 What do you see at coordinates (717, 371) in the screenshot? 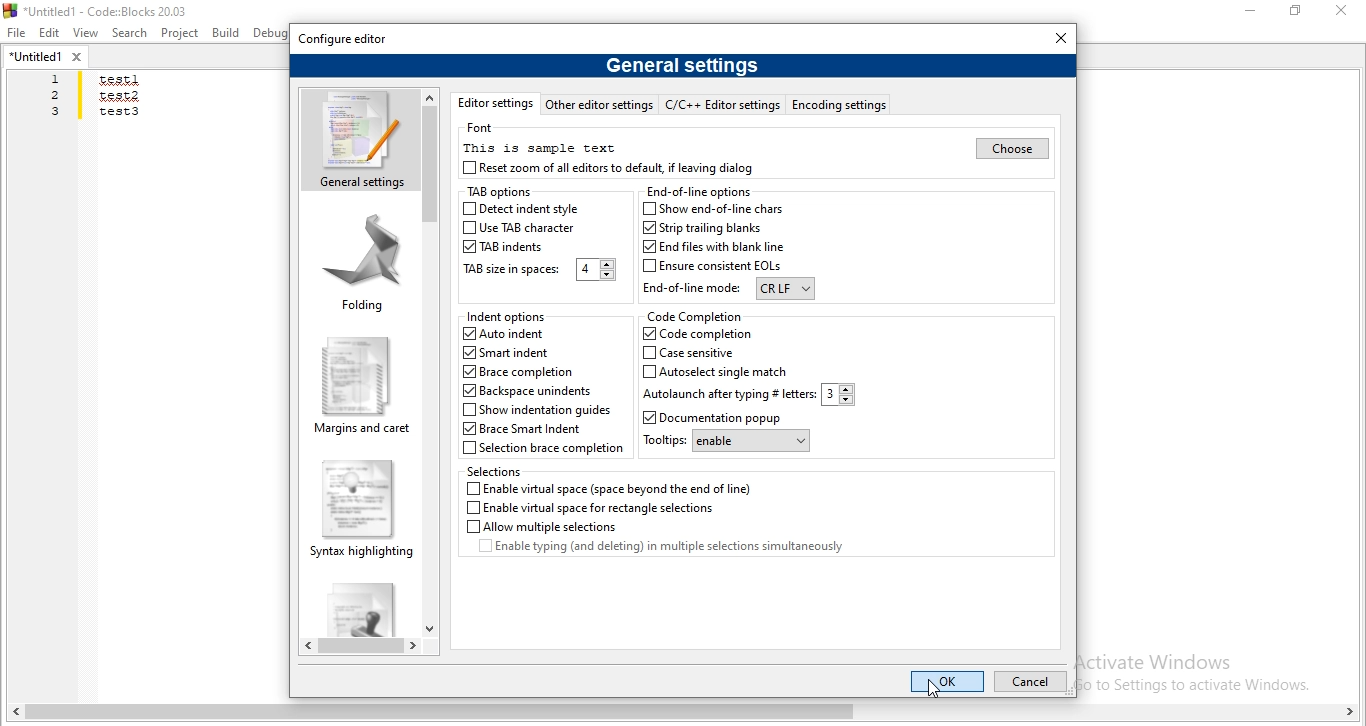
I see `Autoselect single match` at bounding box center [717, 371].